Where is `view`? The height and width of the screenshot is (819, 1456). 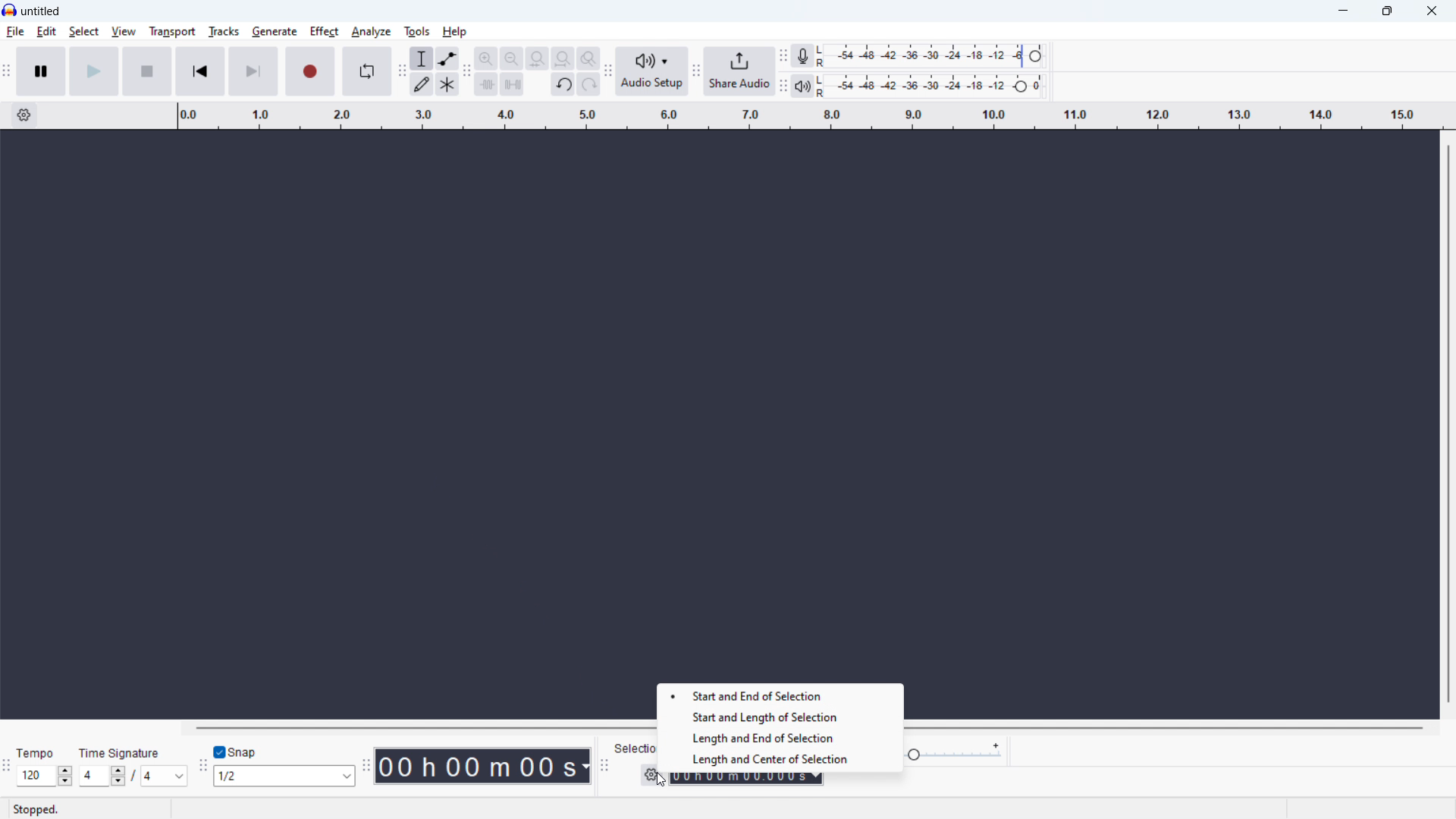
view is located at coordinates (124, 32).